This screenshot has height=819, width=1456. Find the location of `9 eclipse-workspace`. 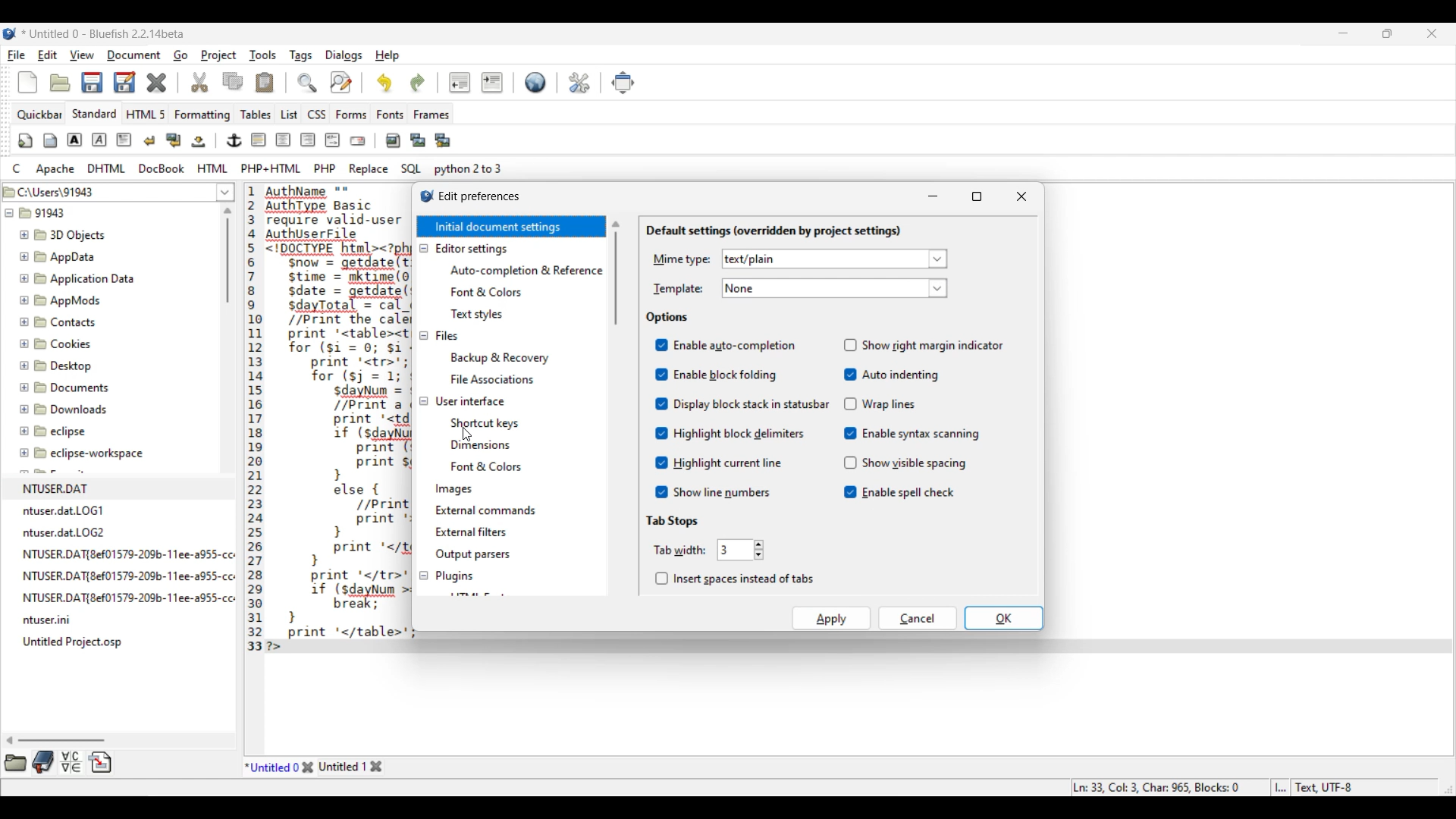

9 eclipse-workspace is located at coordinates (96, 454).